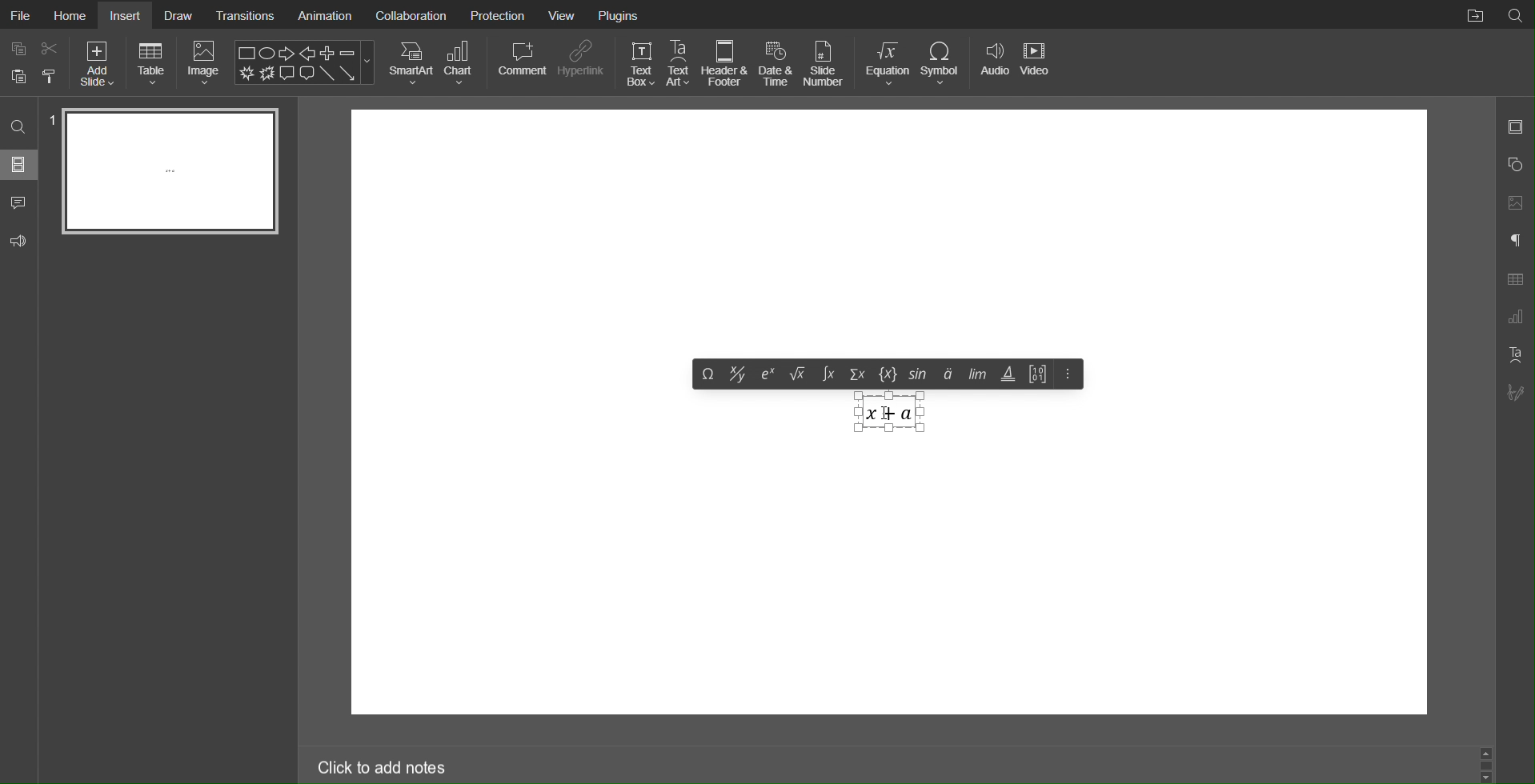  Describe the element at coordinates (1514, 205) in the screenshot. I see `Images Settings` at that location.